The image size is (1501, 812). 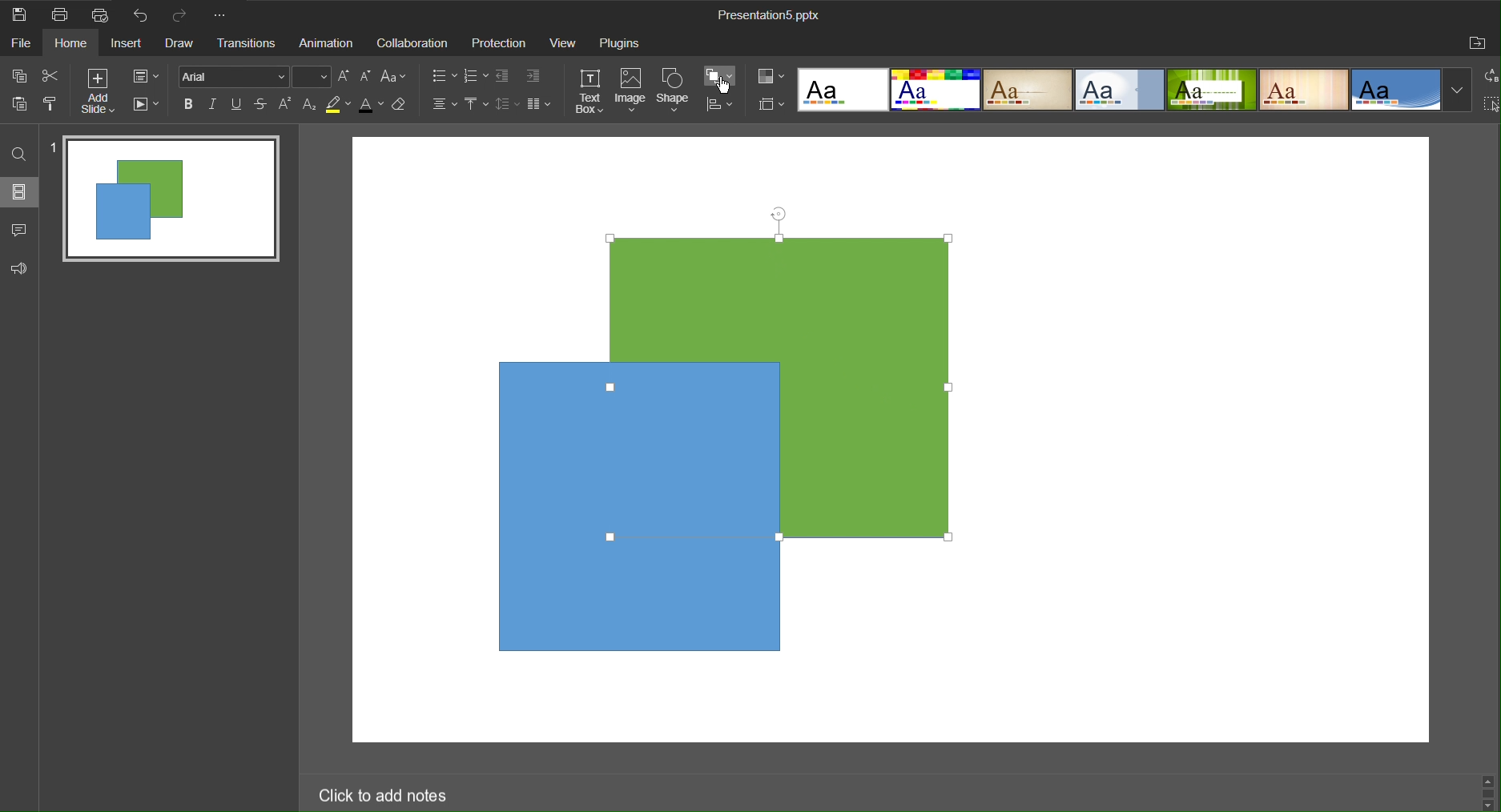 I want to click on Bold, so click(x=187, y=105).